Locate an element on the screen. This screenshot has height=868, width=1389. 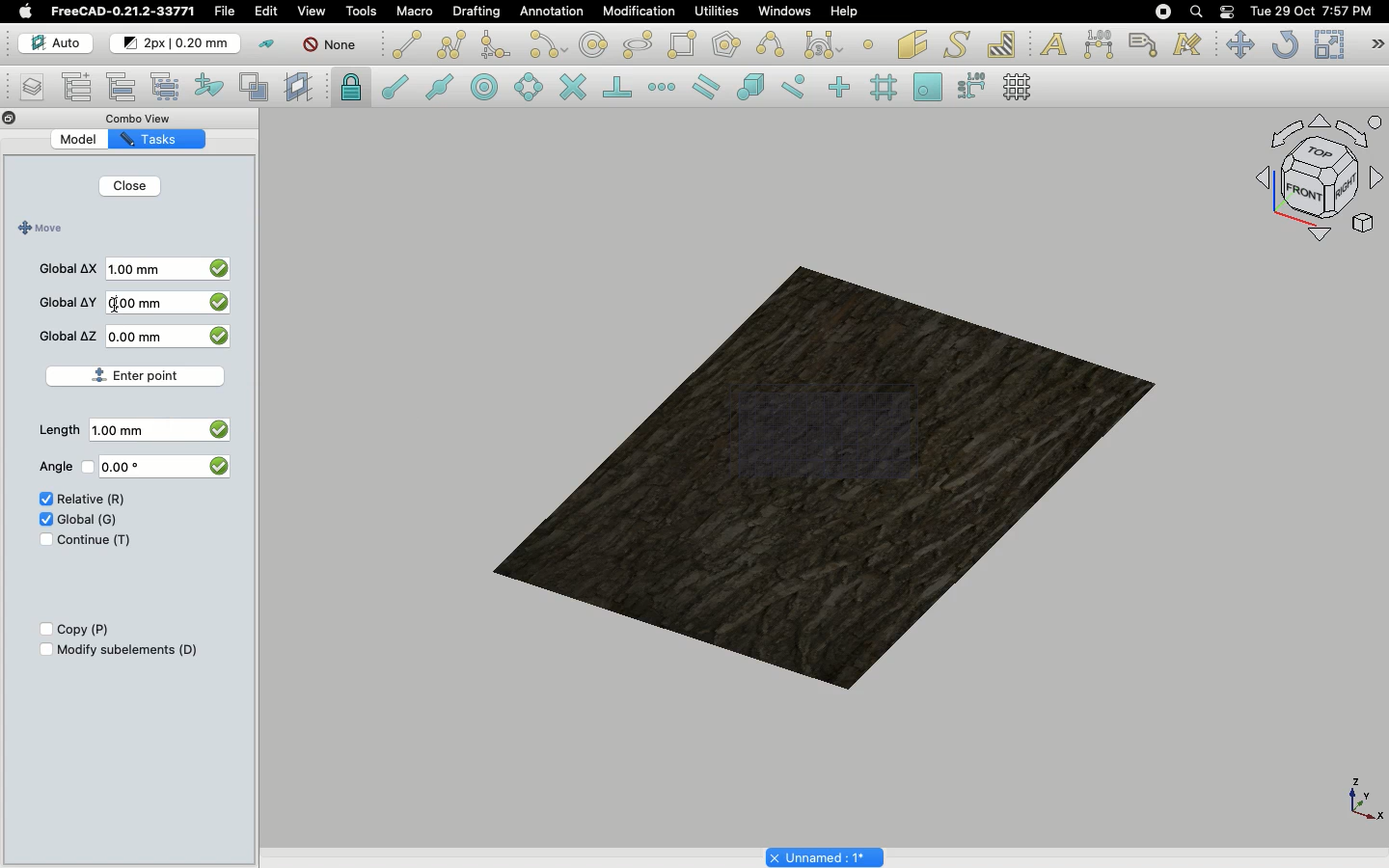
Auto is located at coordinates (57, 43).